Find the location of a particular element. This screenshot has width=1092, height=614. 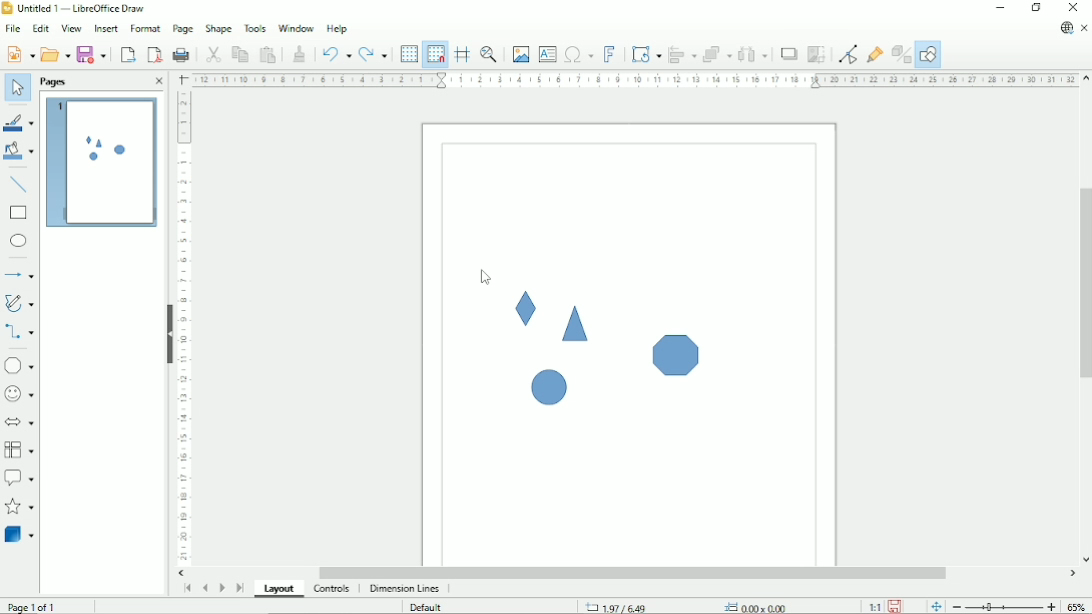

Window is located at coordinates (296, 27).